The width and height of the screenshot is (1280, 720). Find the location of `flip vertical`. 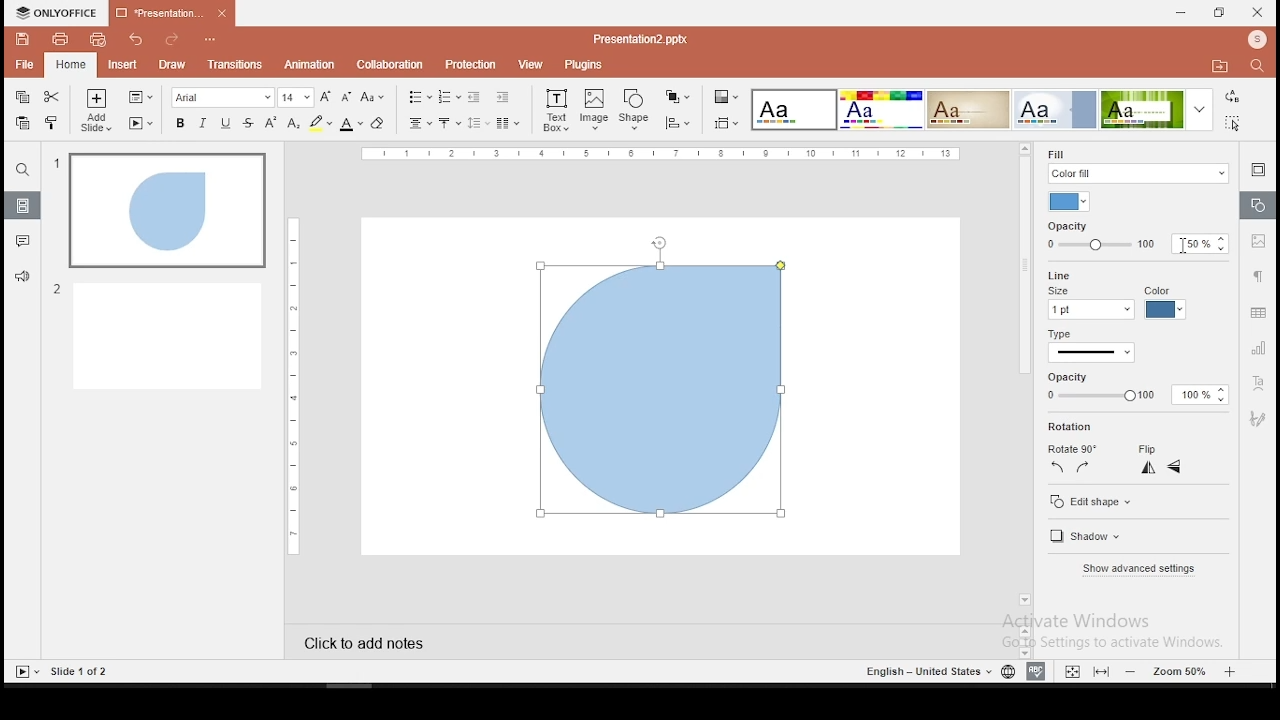

flip vertical is located at coordinates (1150, 470).